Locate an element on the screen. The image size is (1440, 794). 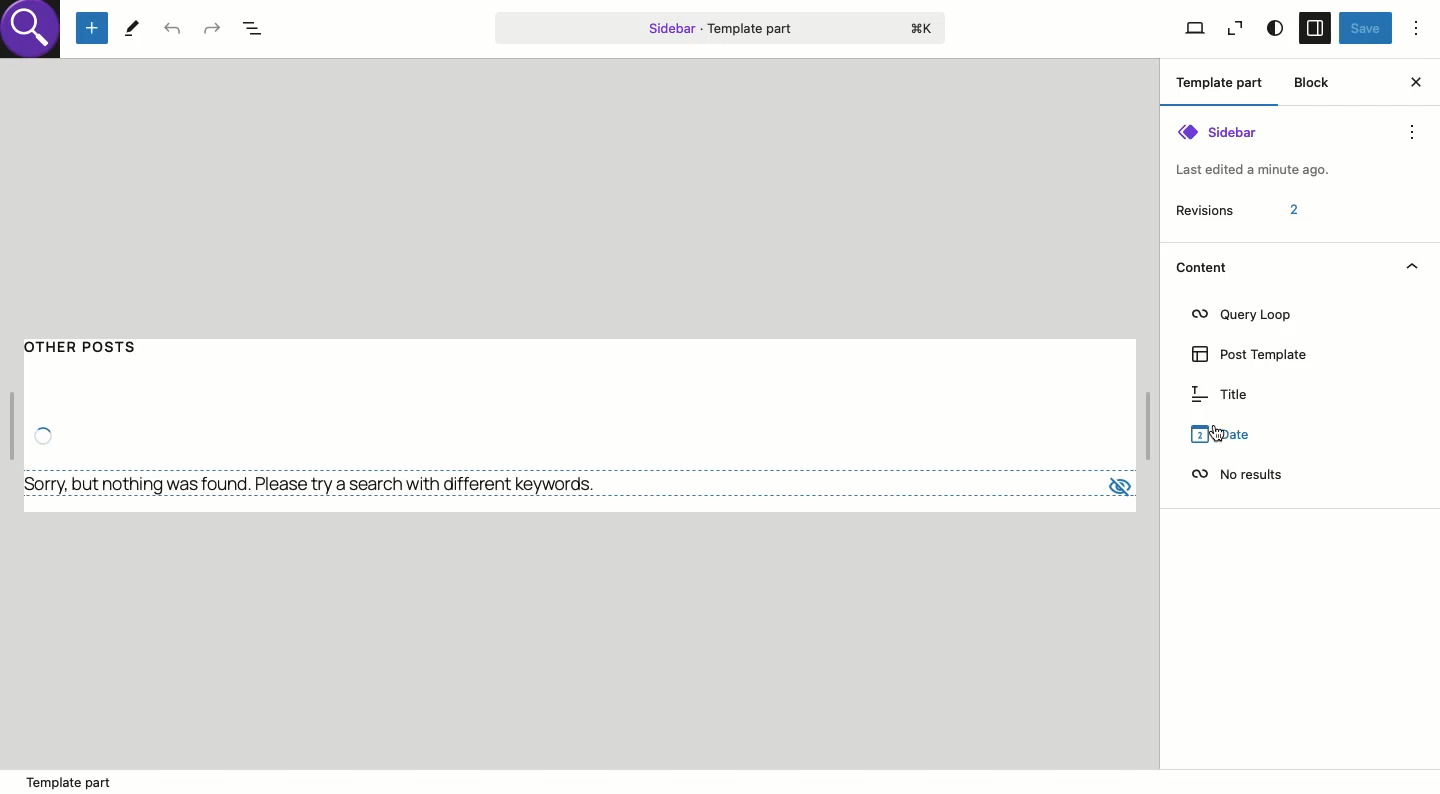
Save is located at coordinates (1365, 29).